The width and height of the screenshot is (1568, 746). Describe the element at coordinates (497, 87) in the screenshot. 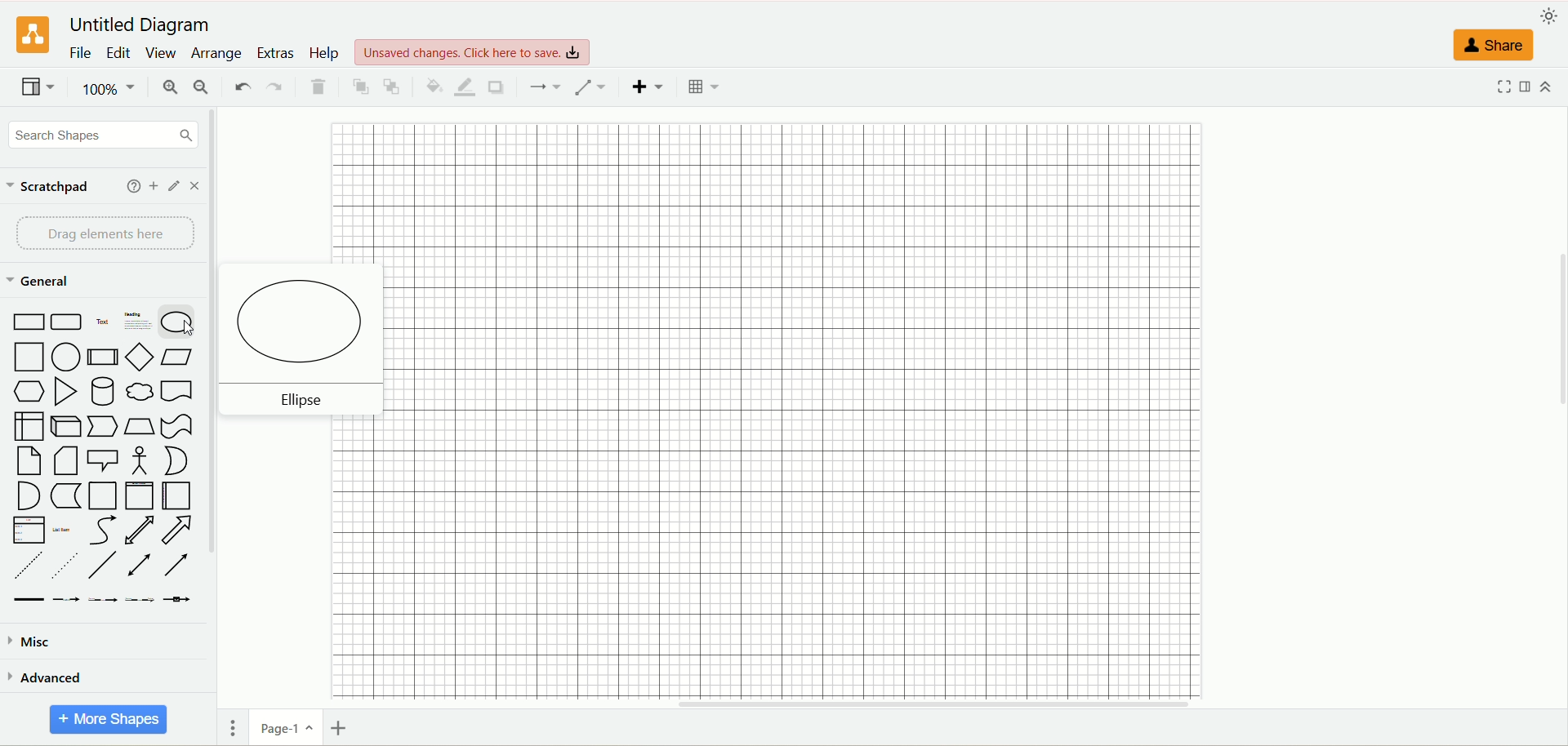

I see `shadow` at that location.